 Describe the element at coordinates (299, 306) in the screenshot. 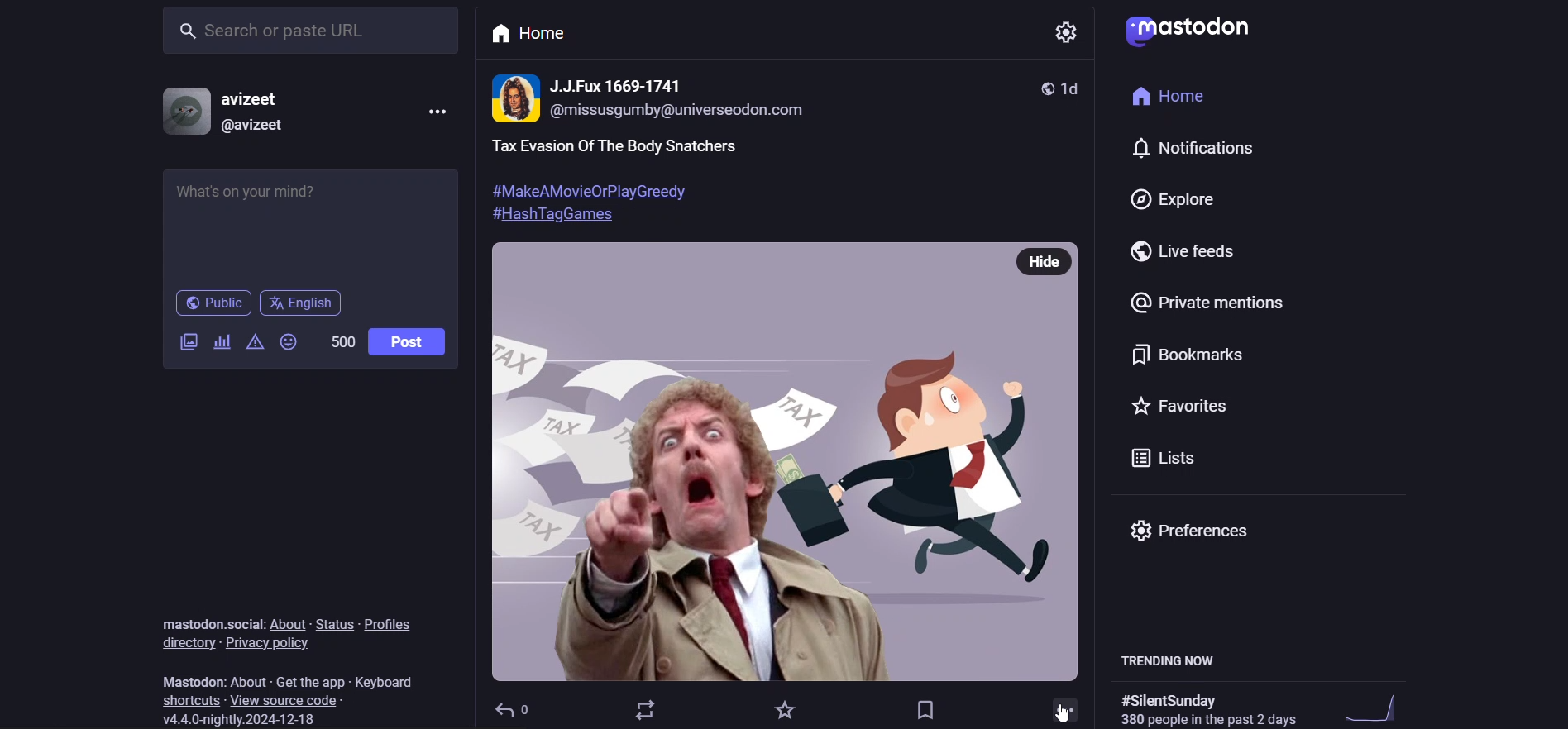

I see `english` at that location.